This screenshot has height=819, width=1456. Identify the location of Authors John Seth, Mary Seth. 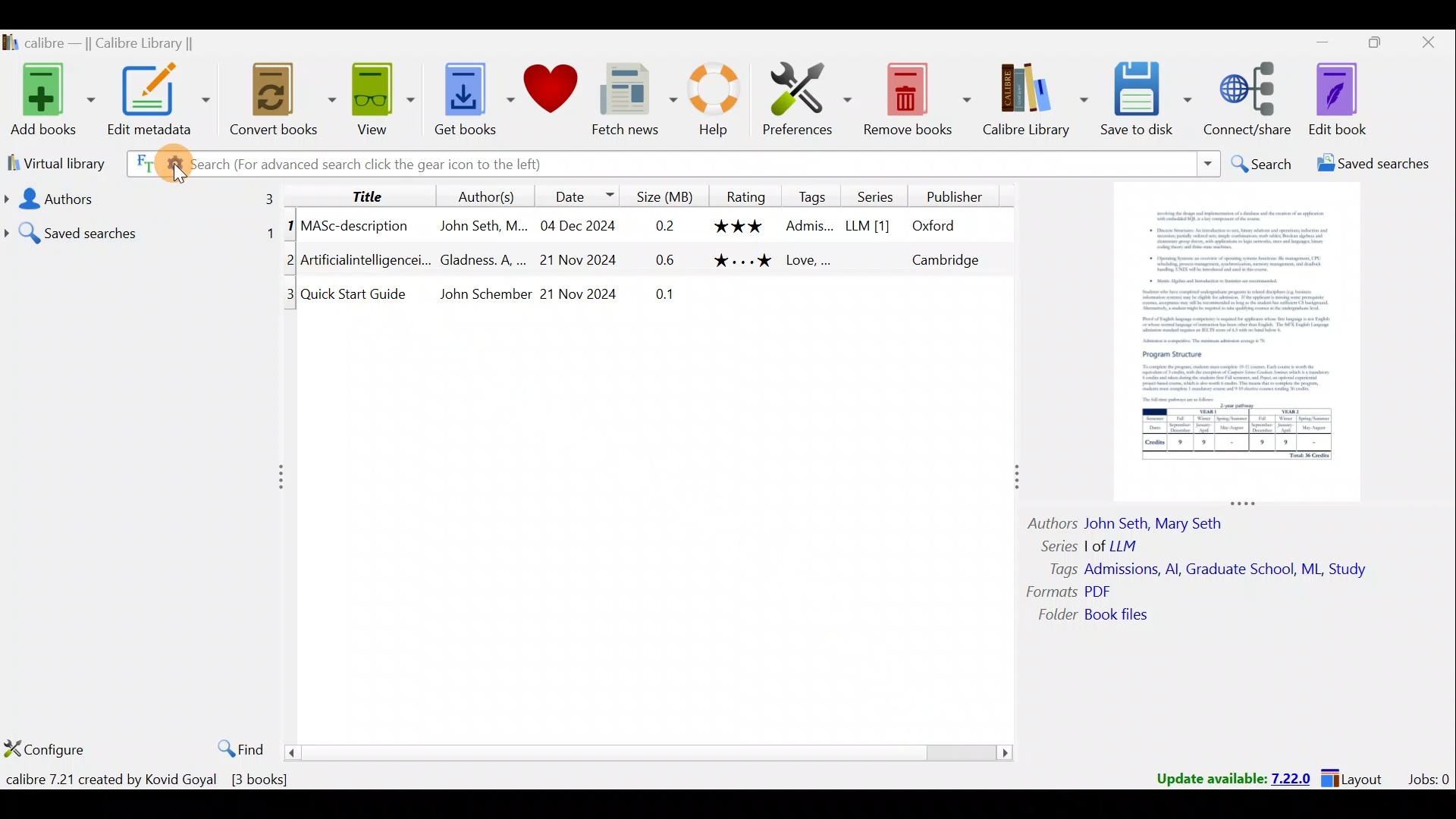
(1137, 521).